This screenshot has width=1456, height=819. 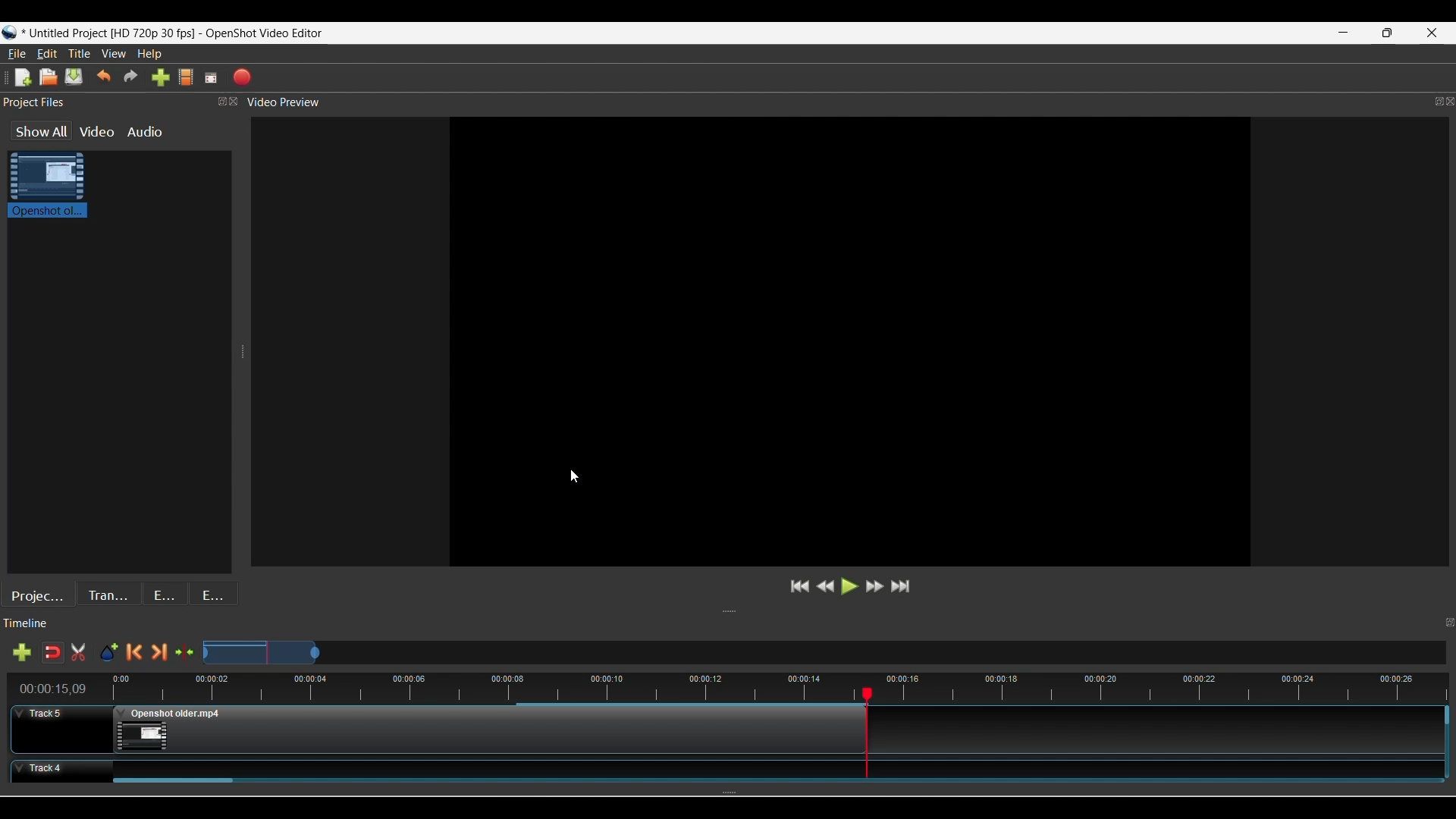 What do you see at coordinates (1432, 35) in the screenshot?
I see `Close interface` at bounding box center [1432, 35].